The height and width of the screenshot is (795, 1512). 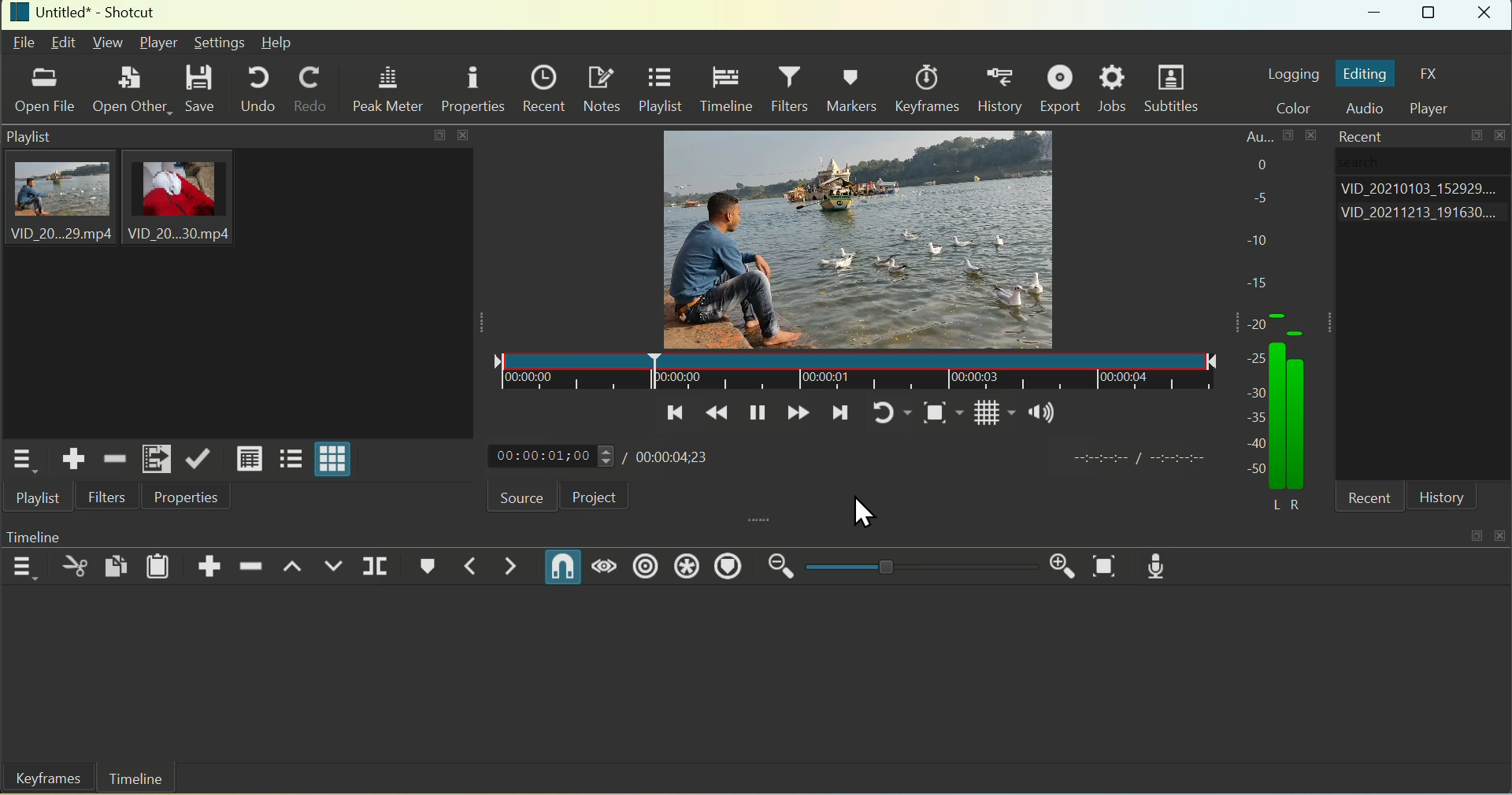 What do you see at coordinates (602, 88) in the screenshot?
I see `Notes` at bounding box center [602, 88].